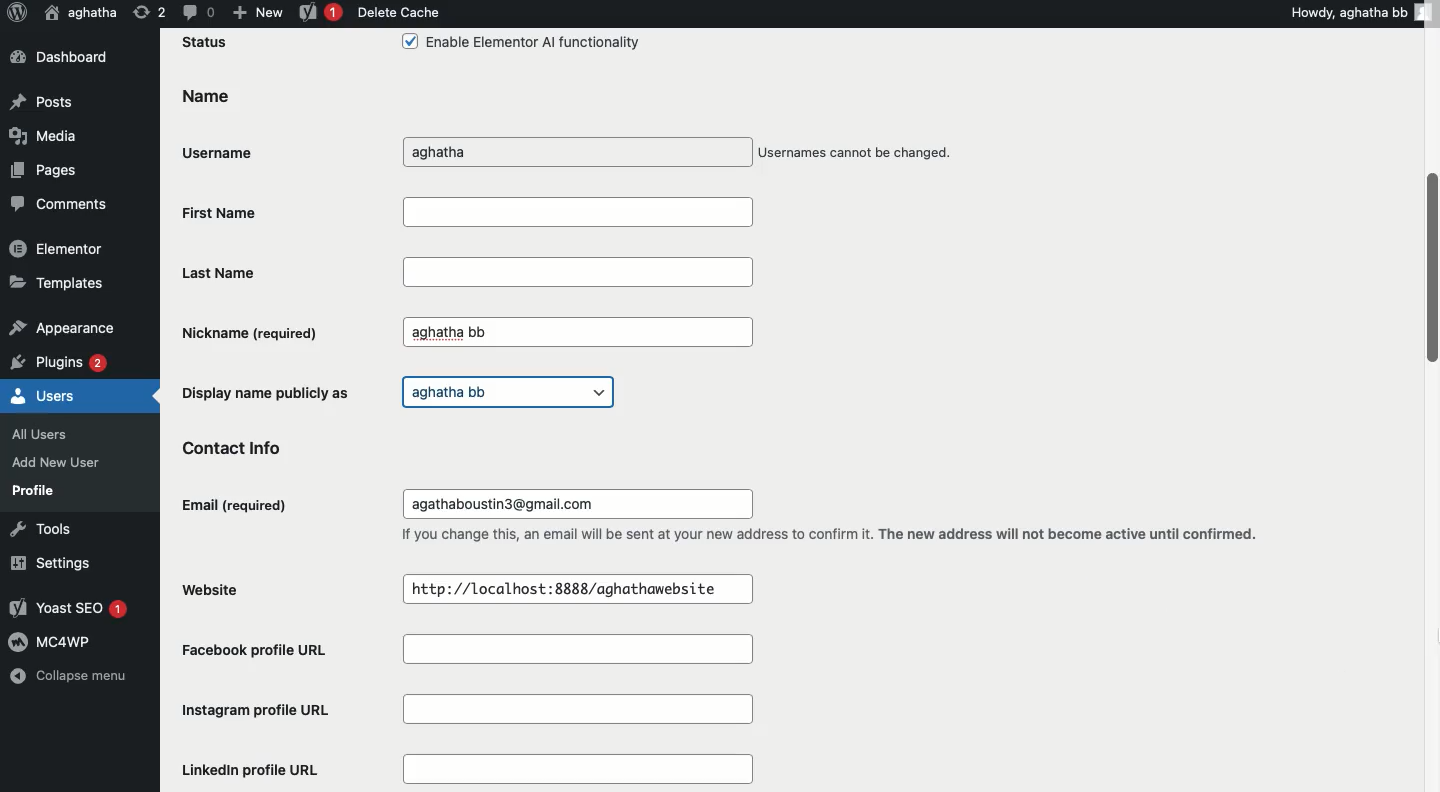 This screenshot has height=792, width=1440. I want to click on All Users, so click(50, 432).